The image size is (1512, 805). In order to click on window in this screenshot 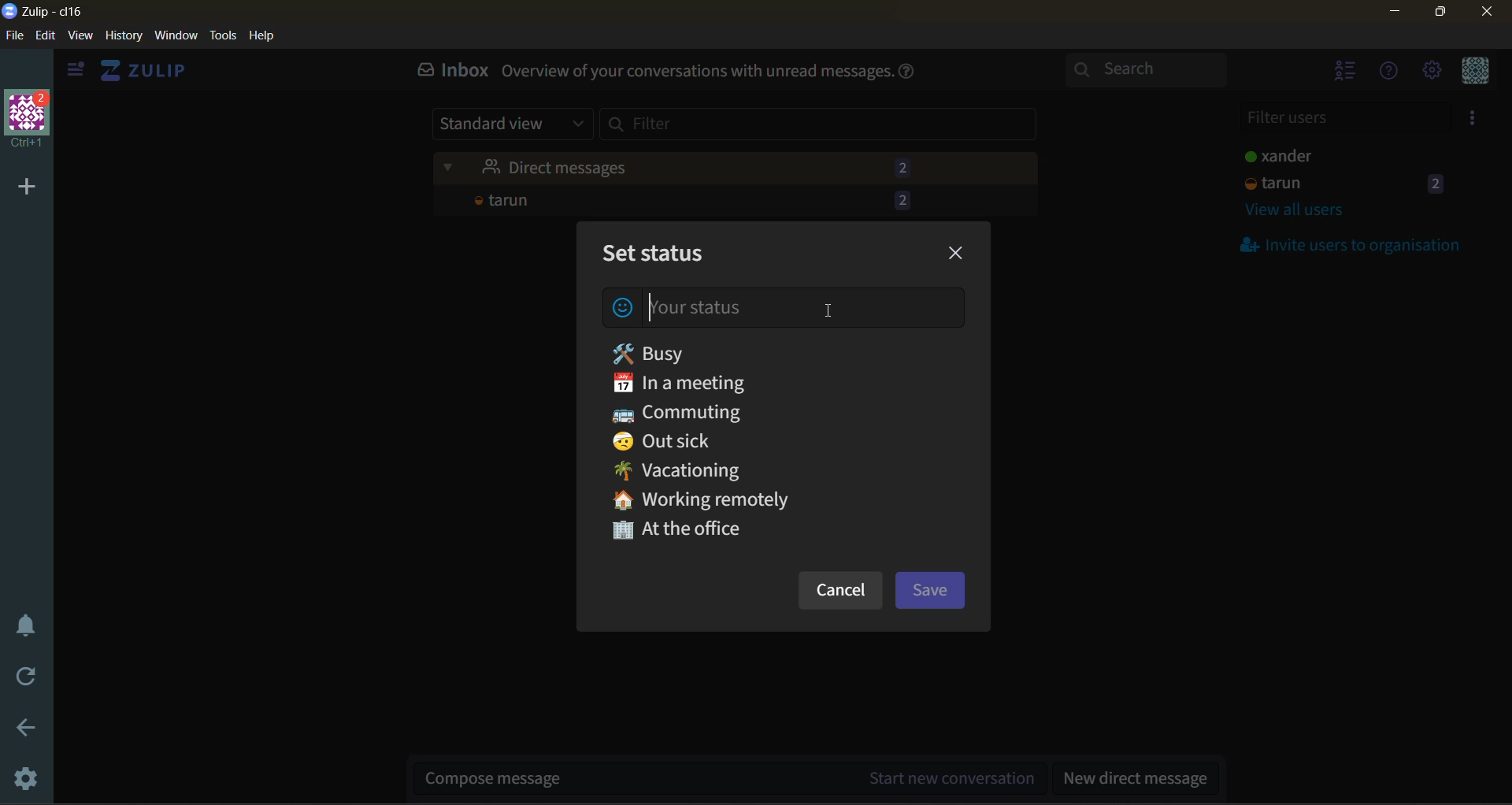, I will do `click(178, 37)`.